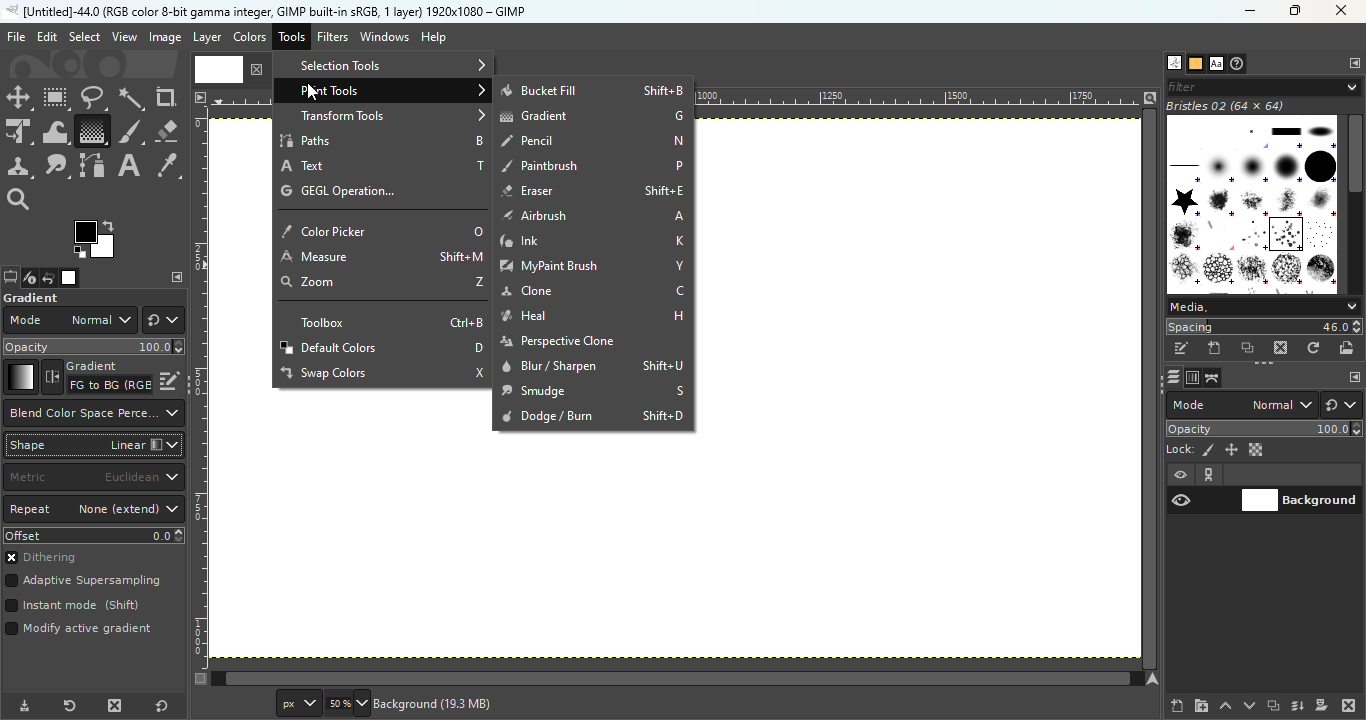  Describe the element at coordinates (132, 98) in the screenshot. I see `Fuzzy select tool ` at that location.